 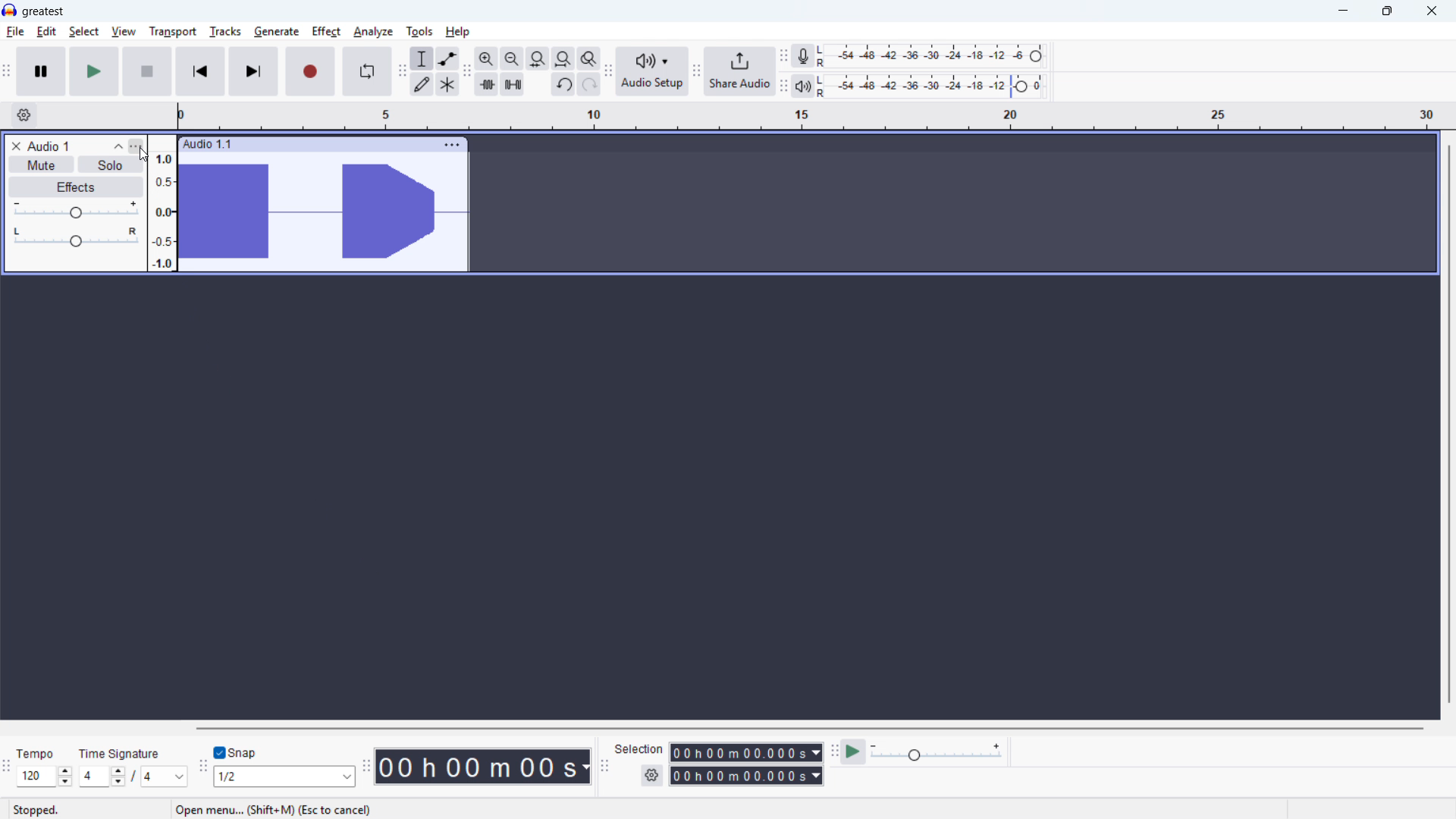 I want to click on waveform, so click(x=322, y=212).